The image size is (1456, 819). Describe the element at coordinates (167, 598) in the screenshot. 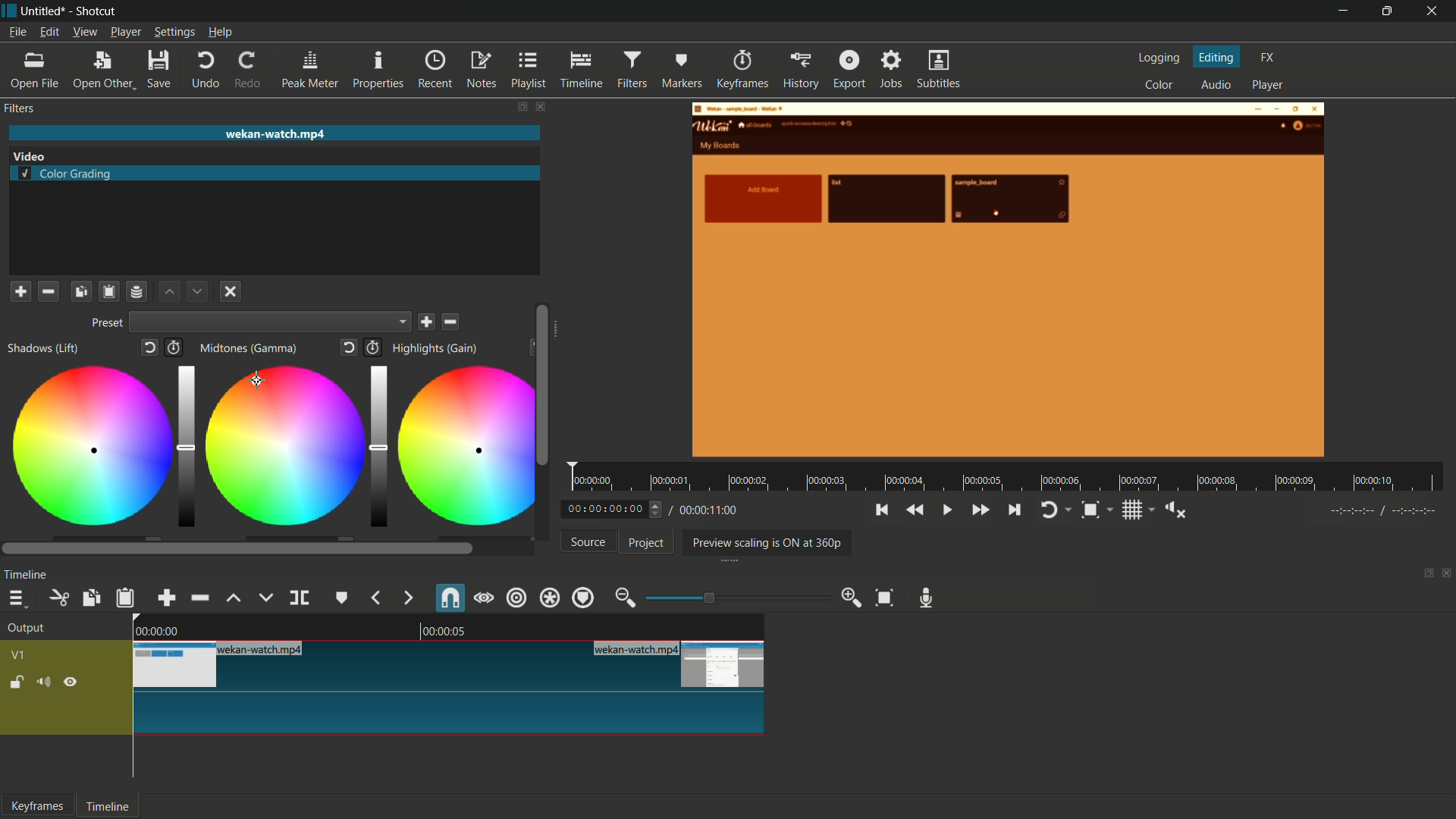

I see `append` at that location.